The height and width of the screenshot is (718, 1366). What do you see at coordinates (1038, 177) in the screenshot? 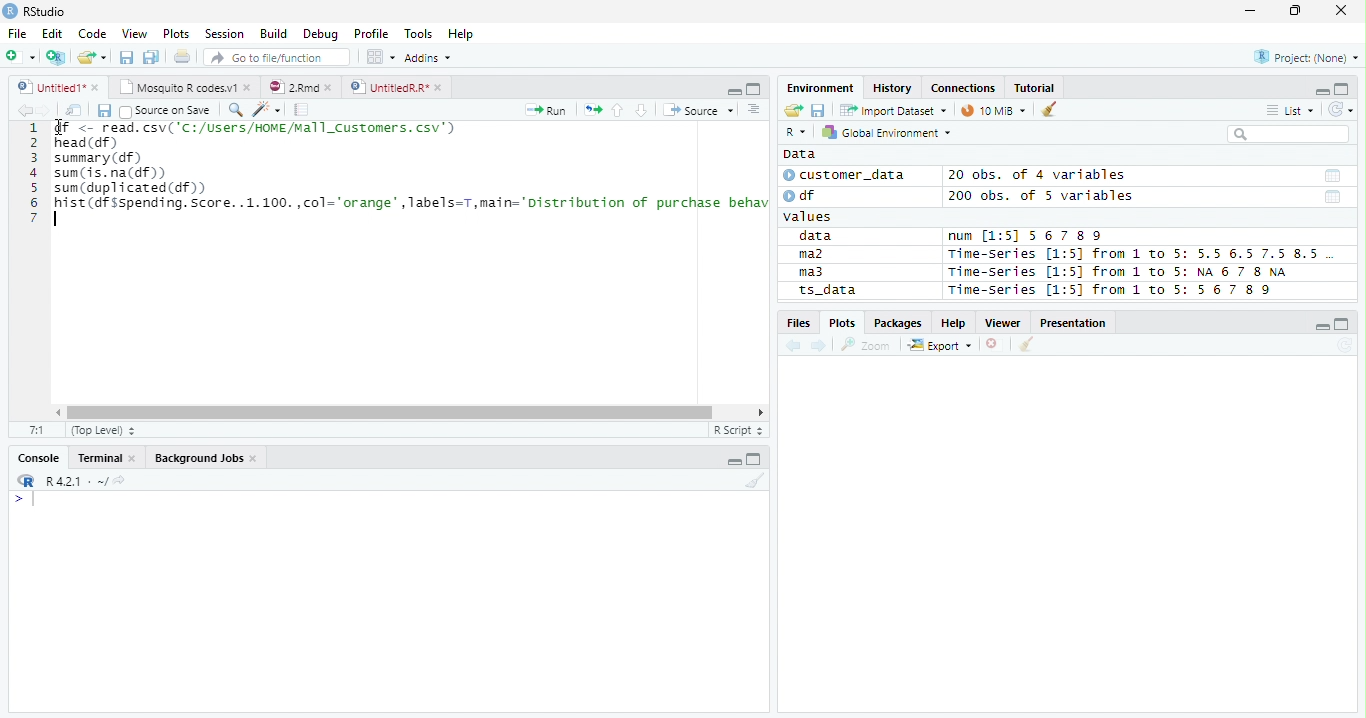
I see `20 obs. of 4 variables` at bounding box center [1038, 177].